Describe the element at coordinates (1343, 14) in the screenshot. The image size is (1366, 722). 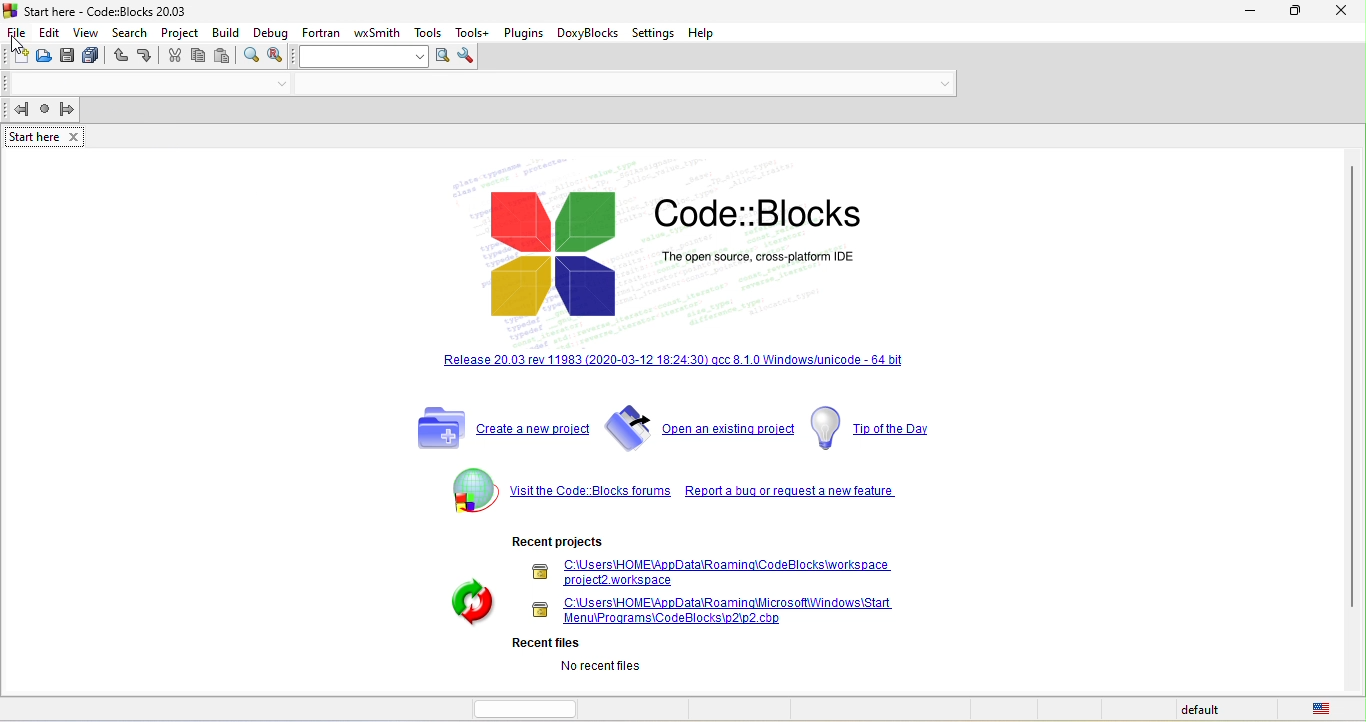
I see `close` at that location.